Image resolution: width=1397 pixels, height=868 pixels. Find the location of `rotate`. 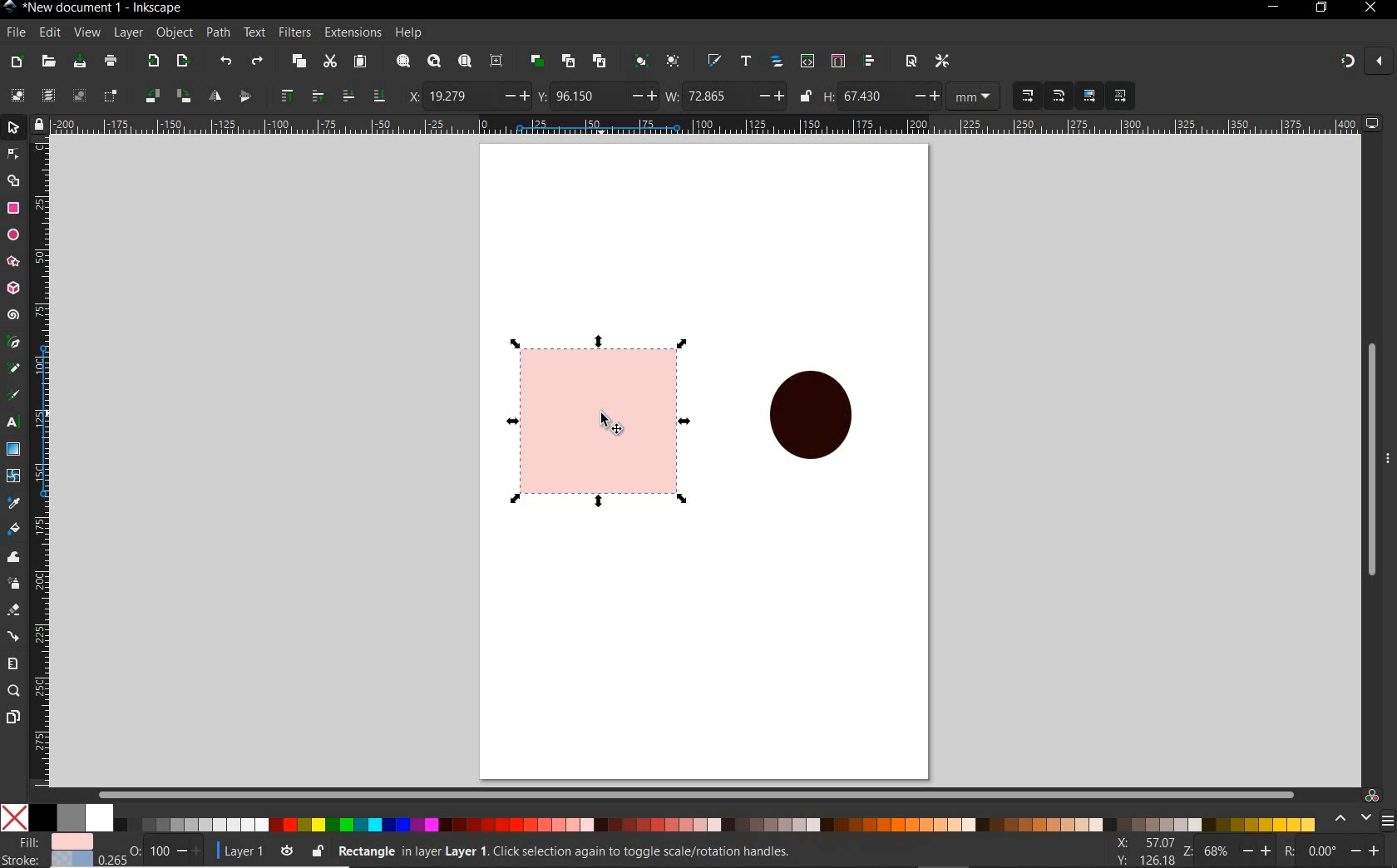

rotate is located at coordinates (1339, 852).